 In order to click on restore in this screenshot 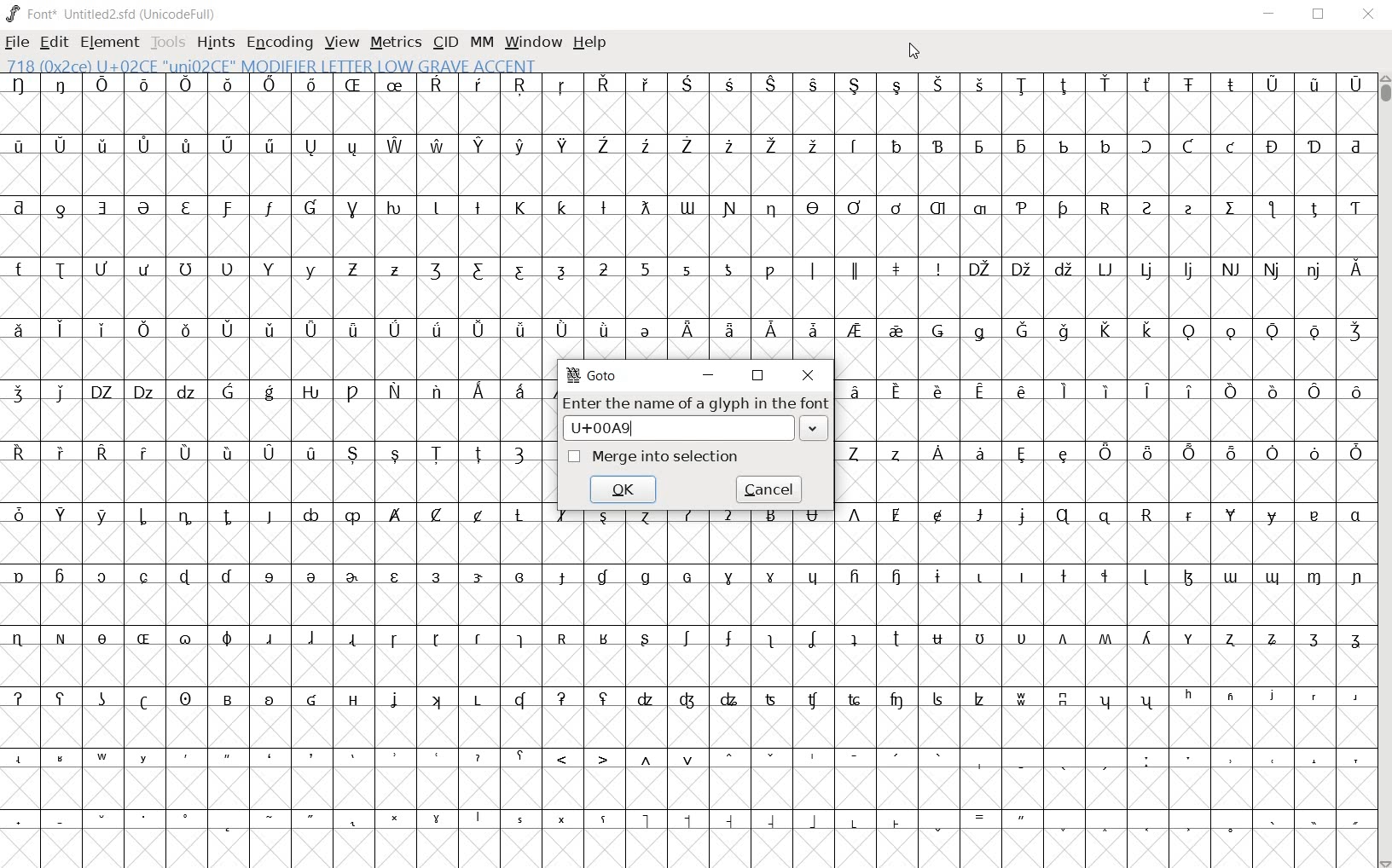, I will do `click(757, 375)`.